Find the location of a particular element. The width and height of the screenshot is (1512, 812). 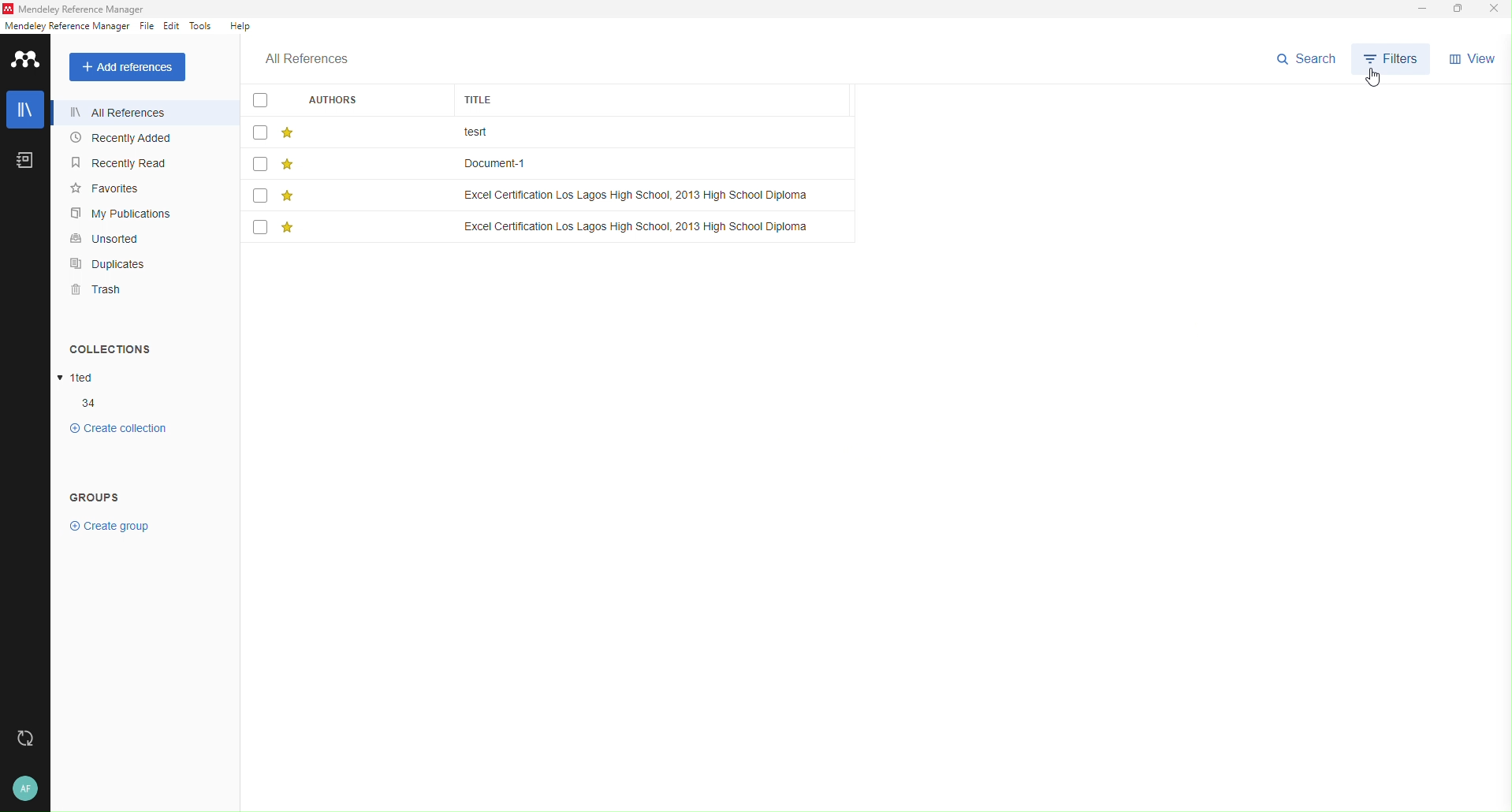

checkbox is located at coordinates (262, 101).